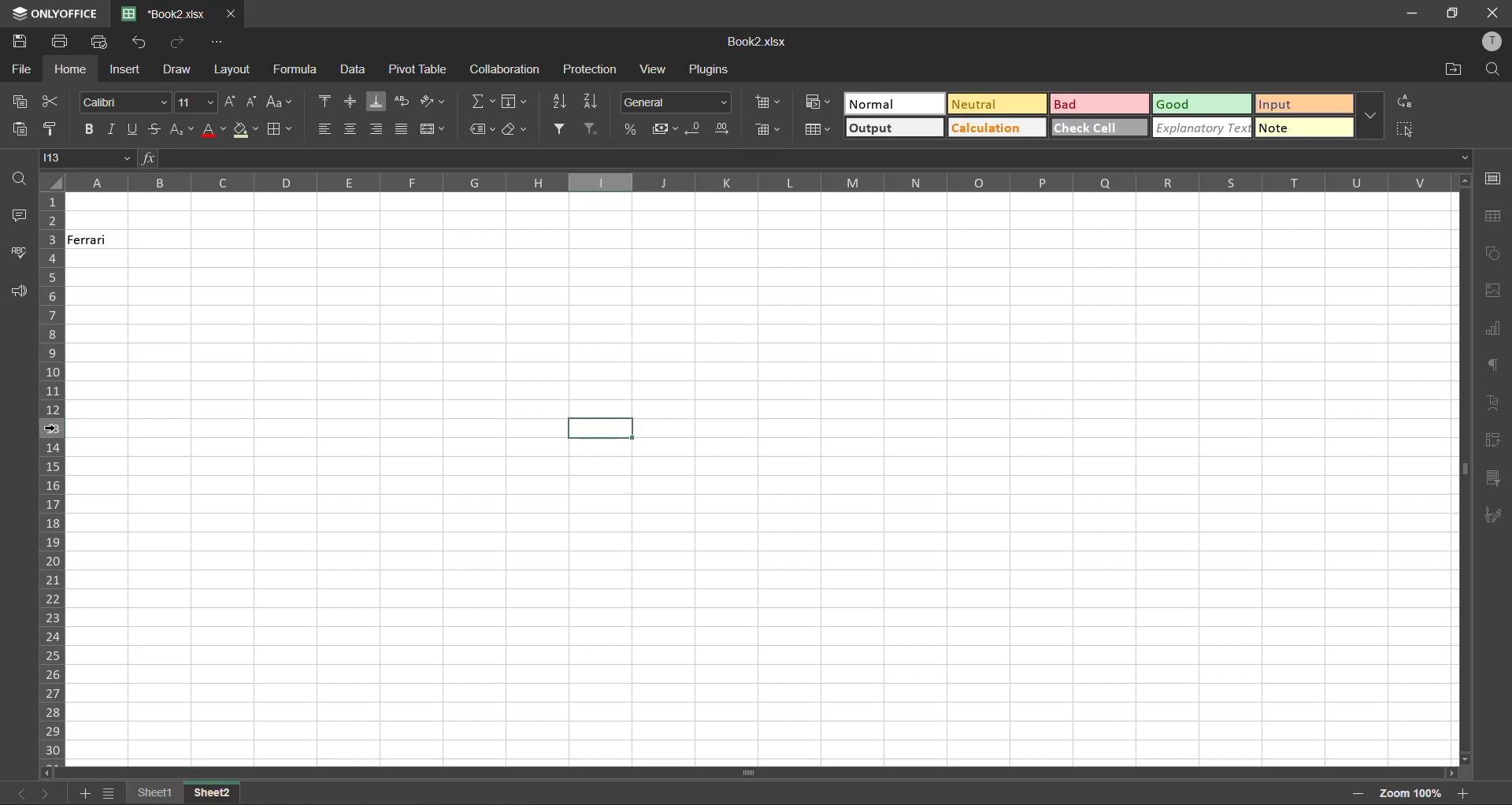 This screenshot has width=1512, height=805. Describe the element at coordinates (23, 69) in the screenshot. I see `file` at that location.